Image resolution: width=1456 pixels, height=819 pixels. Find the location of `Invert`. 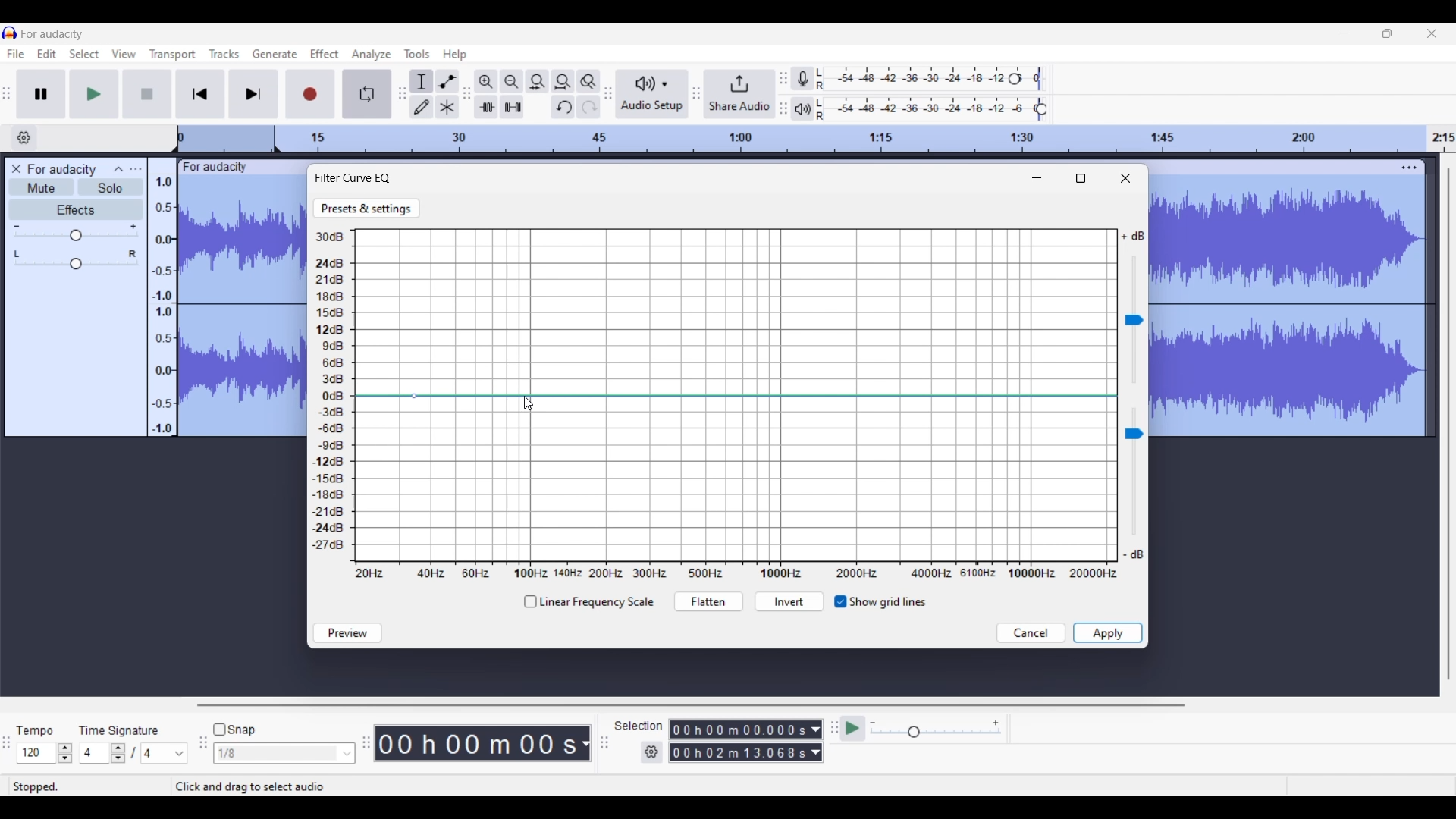

Invert is located at coordinates (789, 603).